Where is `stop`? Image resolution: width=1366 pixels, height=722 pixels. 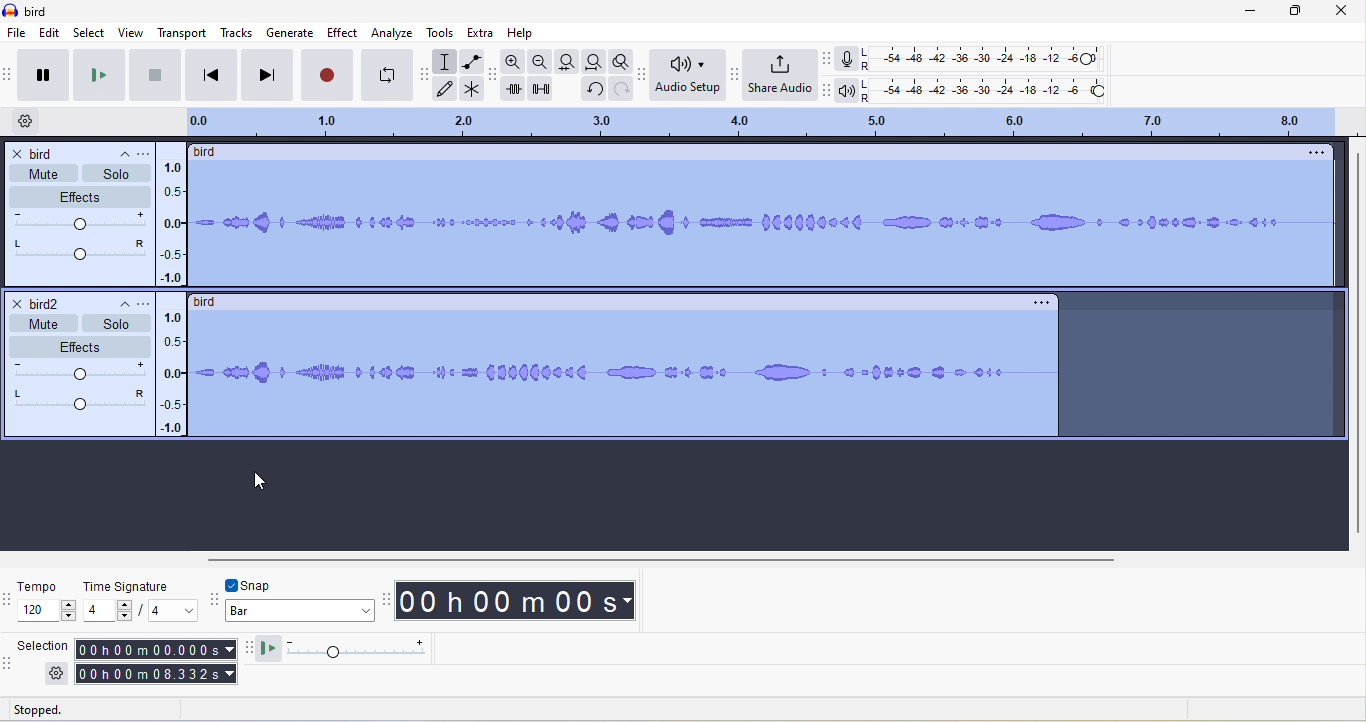
stop is located at coordinates (155, 74).